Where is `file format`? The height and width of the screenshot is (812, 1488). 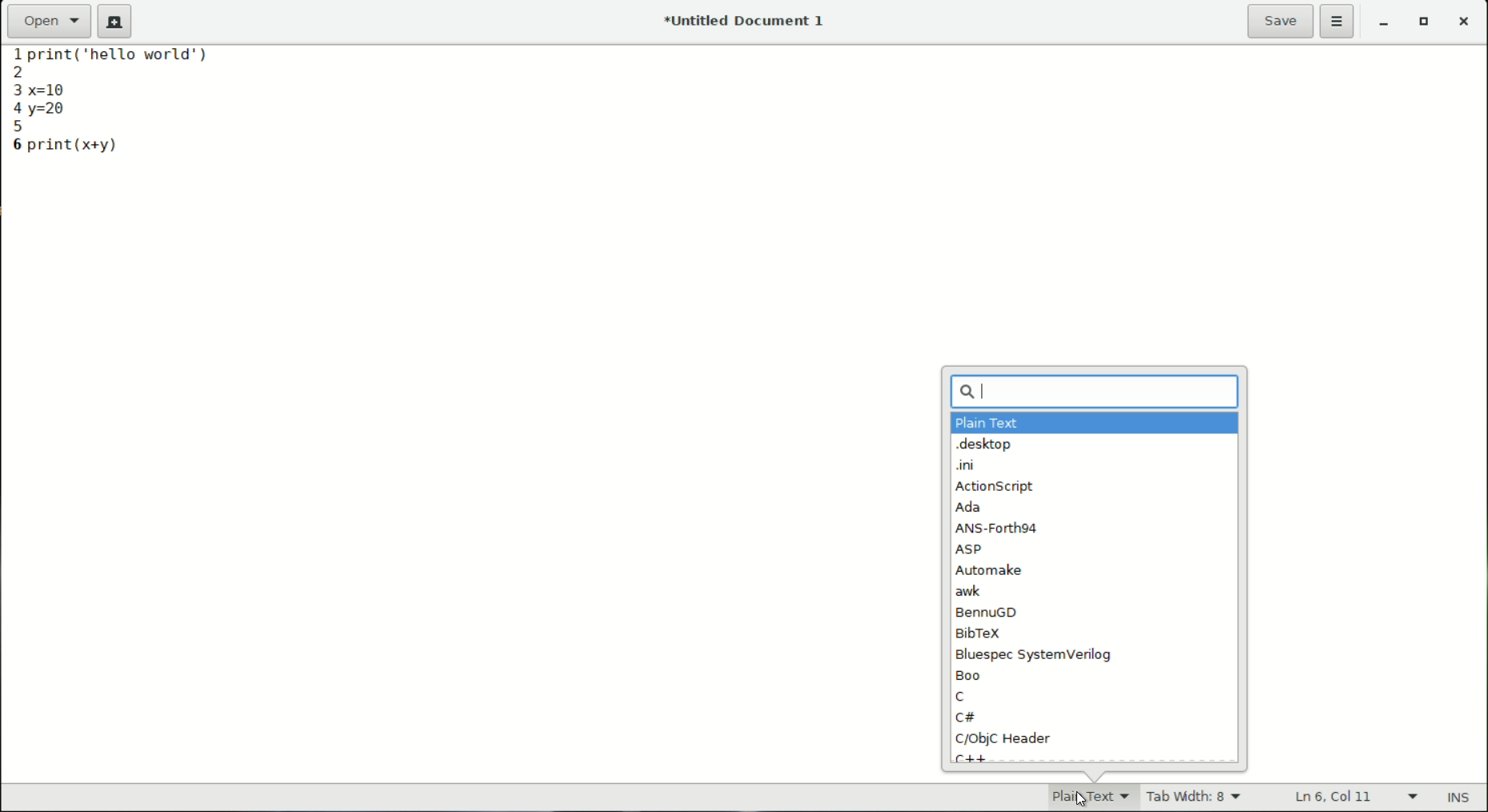
file format is located at coordinates (1080, 796).